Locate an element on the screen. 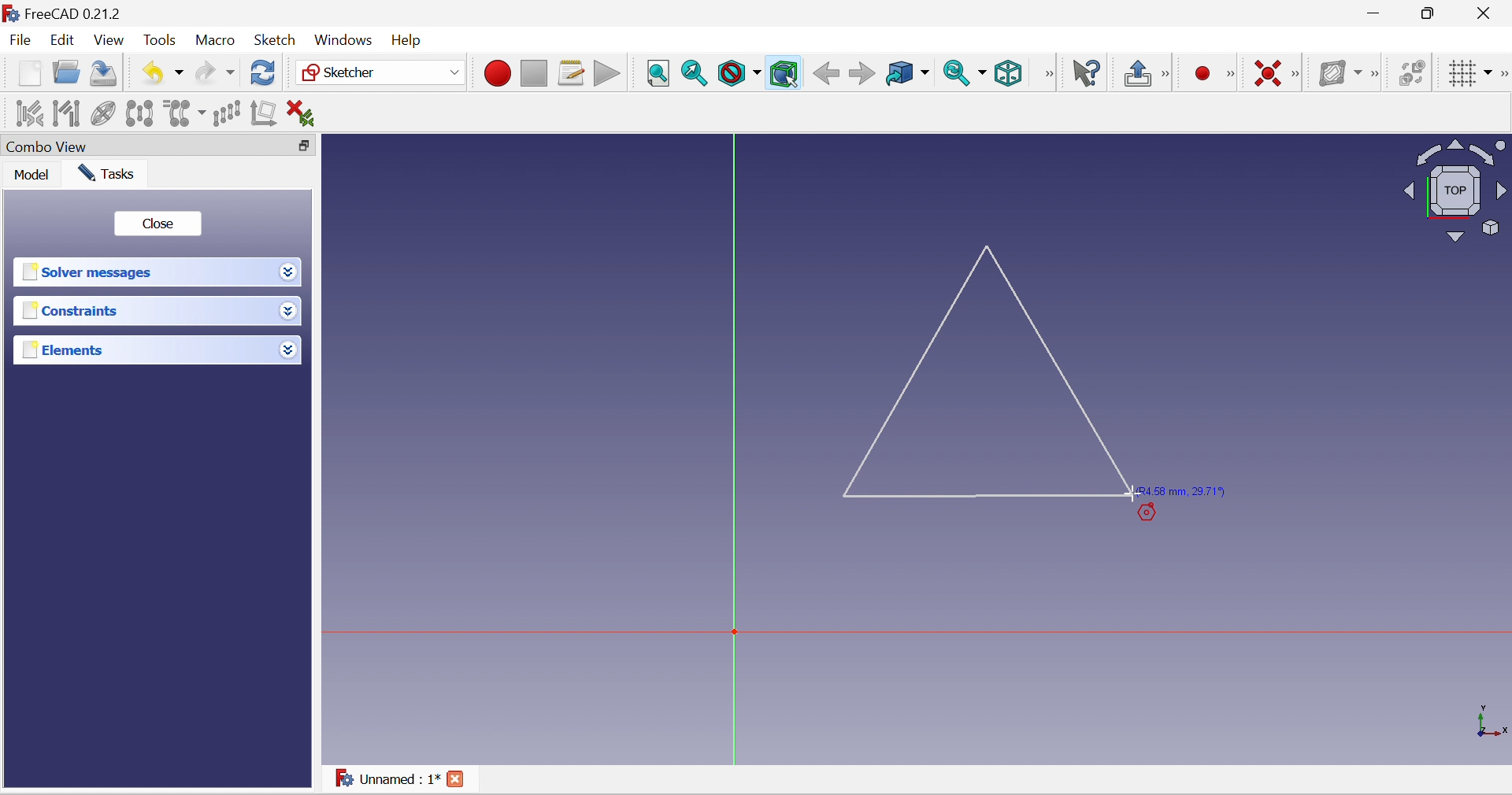 This screenshot has width=1512, height=795. Fit all is located at coordinates (659, 75).